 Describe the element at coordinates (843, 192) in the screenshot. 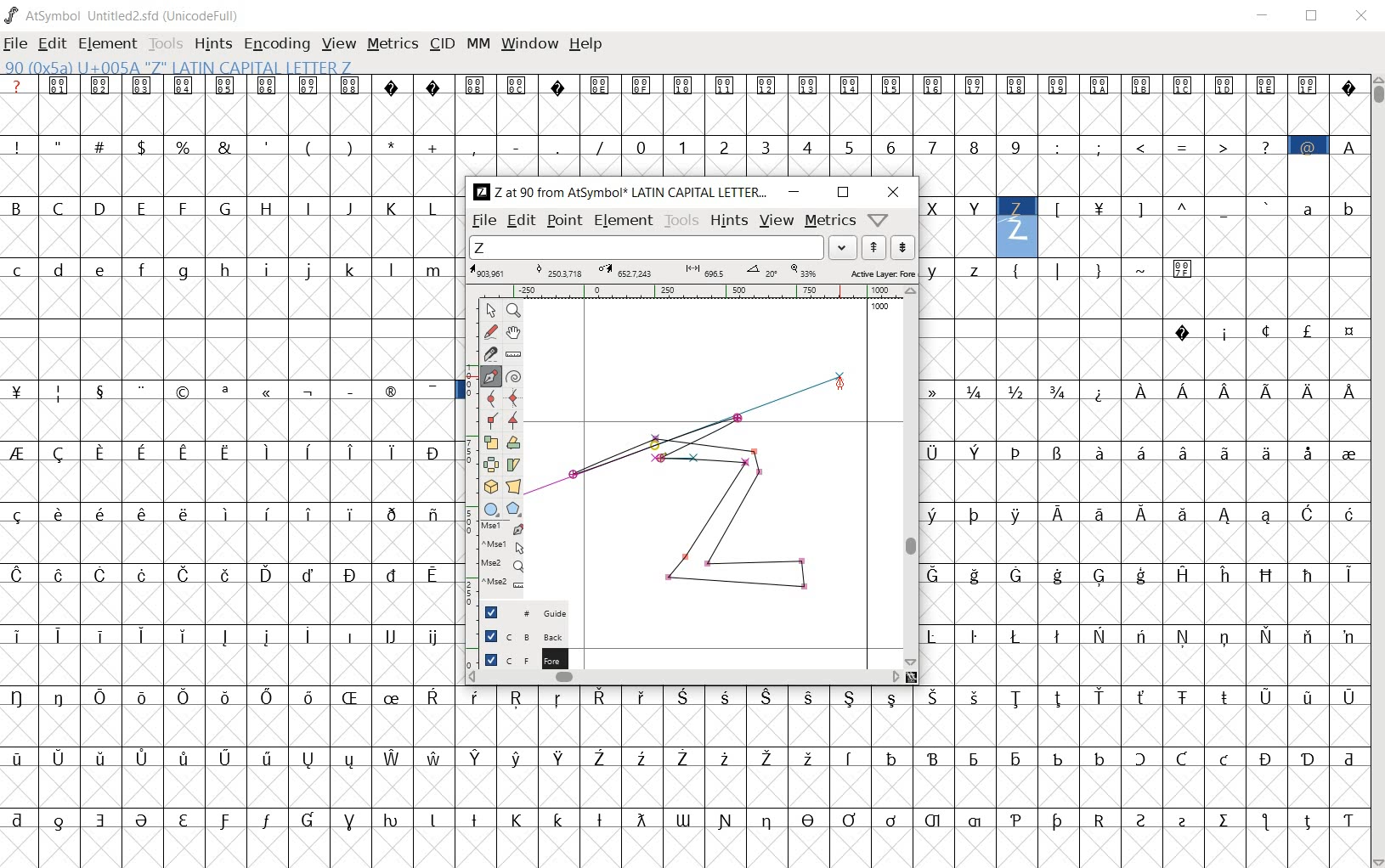

I see `restore down` at that location.